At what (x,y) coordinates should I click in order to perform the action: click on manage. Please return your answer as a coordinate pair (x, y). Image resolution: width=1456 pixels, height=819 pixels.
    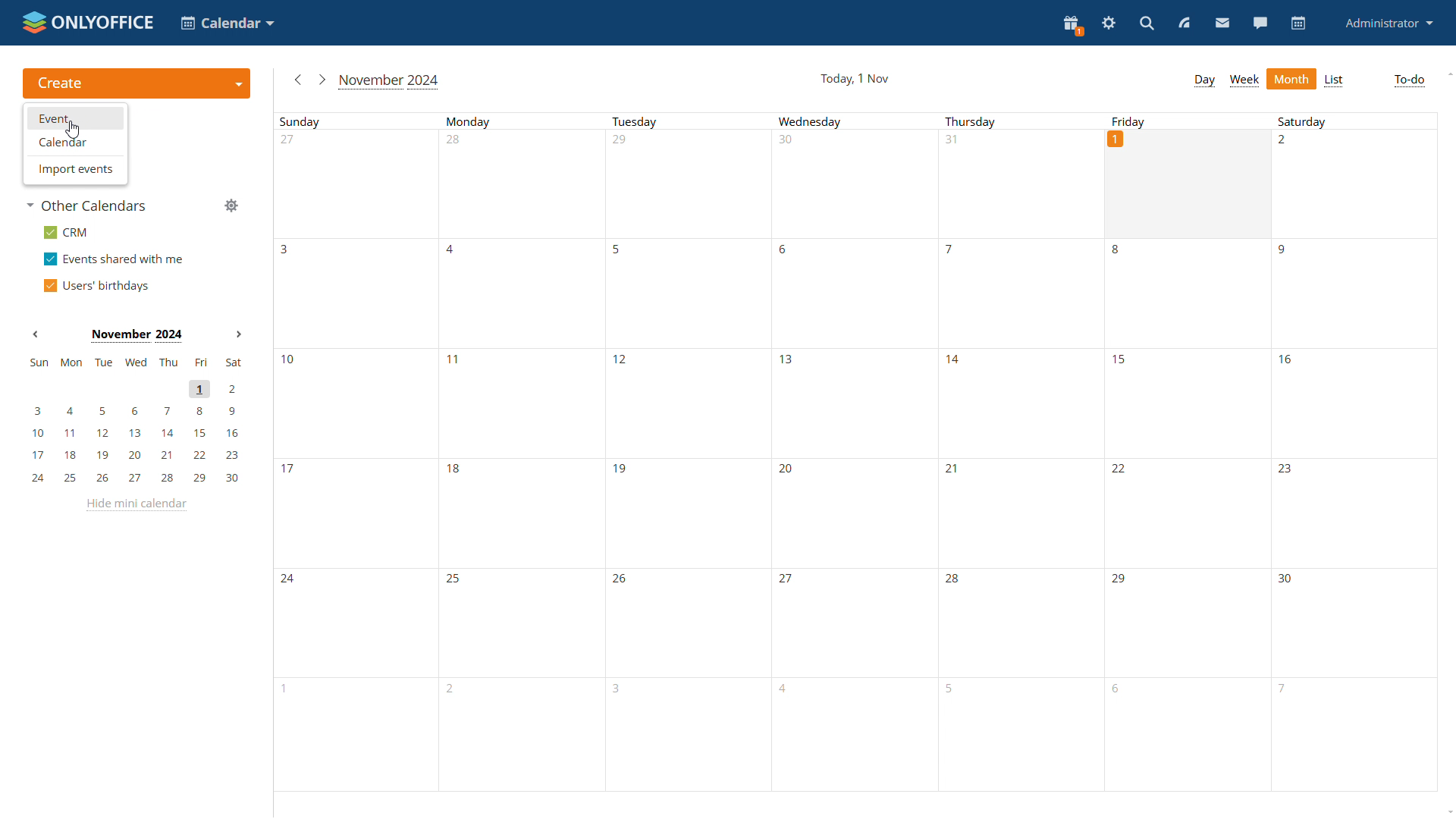
    Looking at the image, I should click on (231, 206).